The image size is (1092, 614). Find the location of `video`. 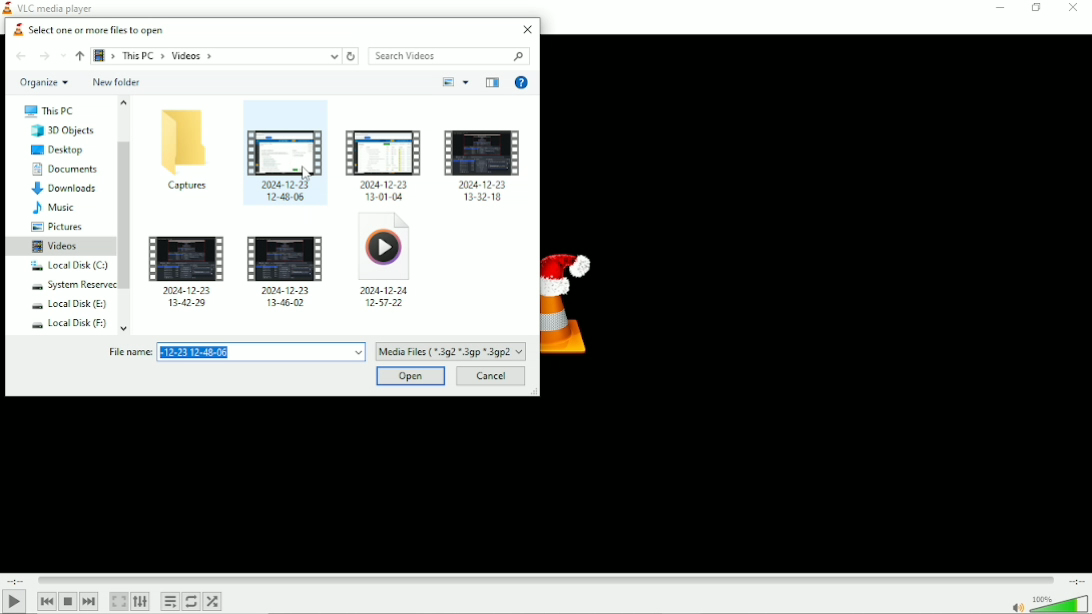

video is located at coordinates (188, 271).